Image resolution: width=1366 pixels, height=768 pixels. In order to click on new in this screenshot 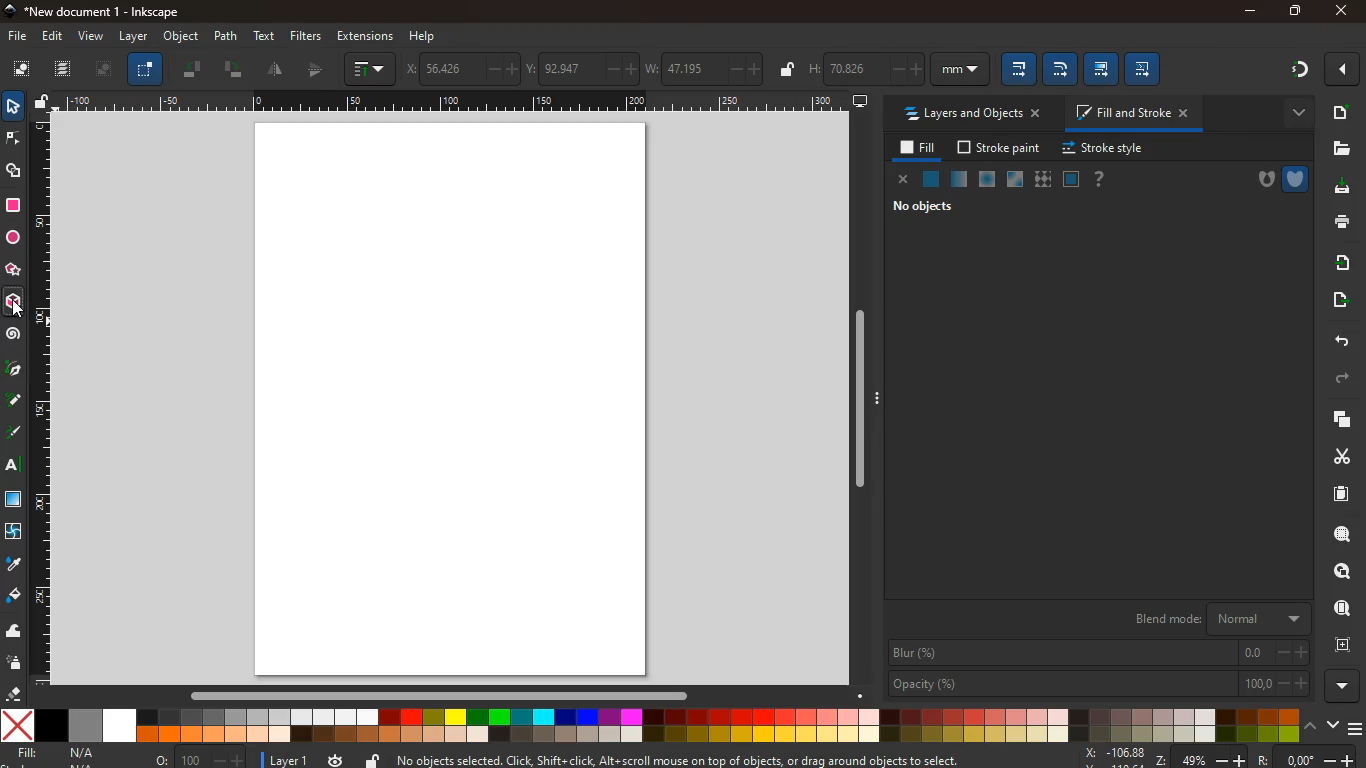, I will do `click(1340, 112)`.